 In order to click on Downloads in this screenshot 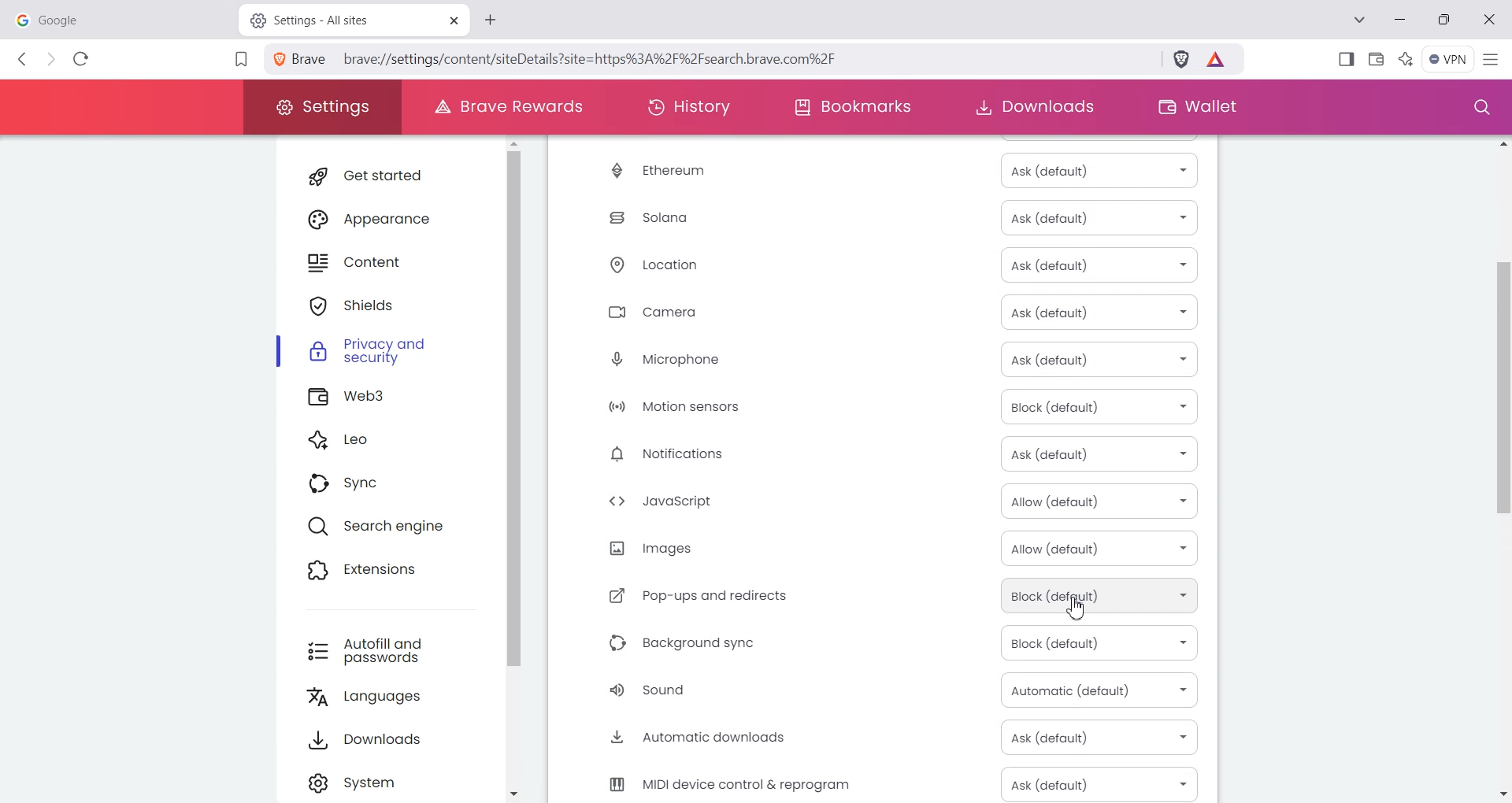, I will do `click(1033, 107)`.